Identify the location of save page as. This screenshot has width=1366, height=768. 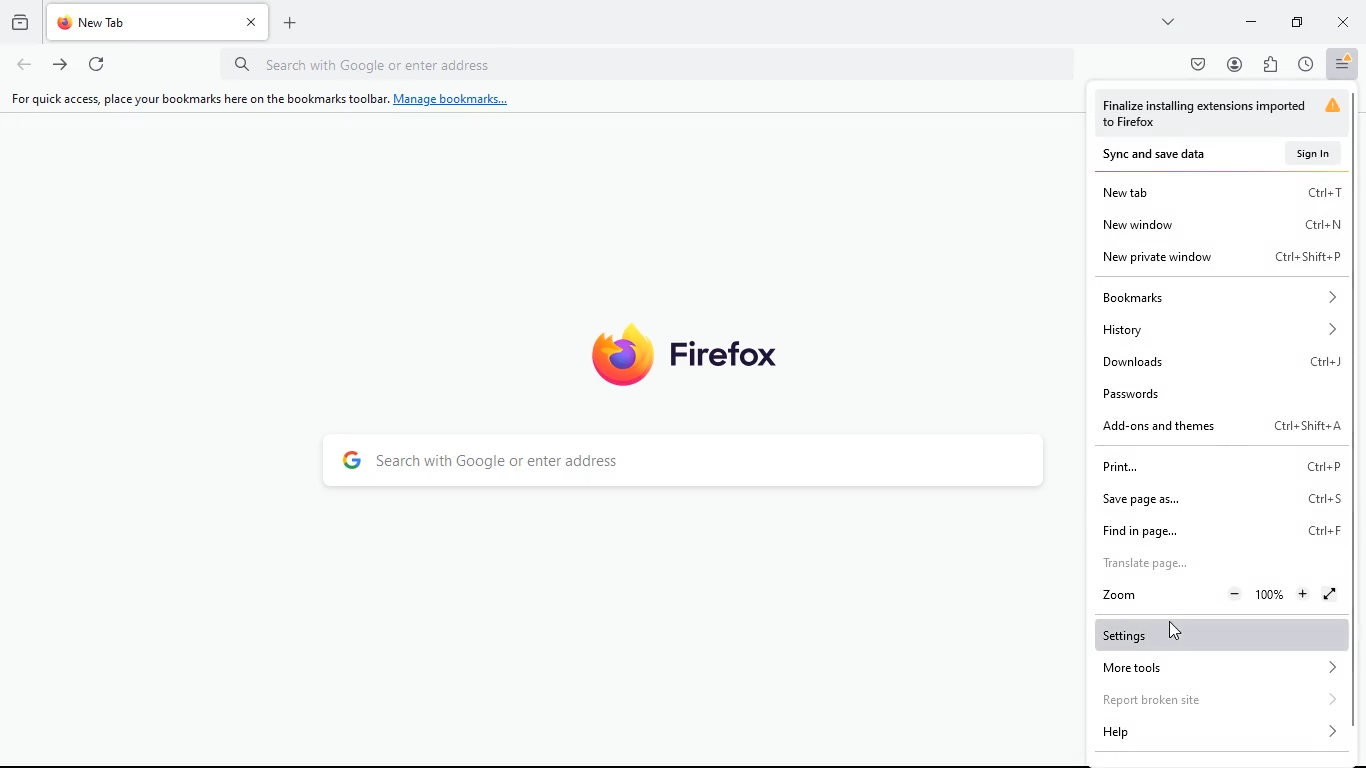
(1217, 498).